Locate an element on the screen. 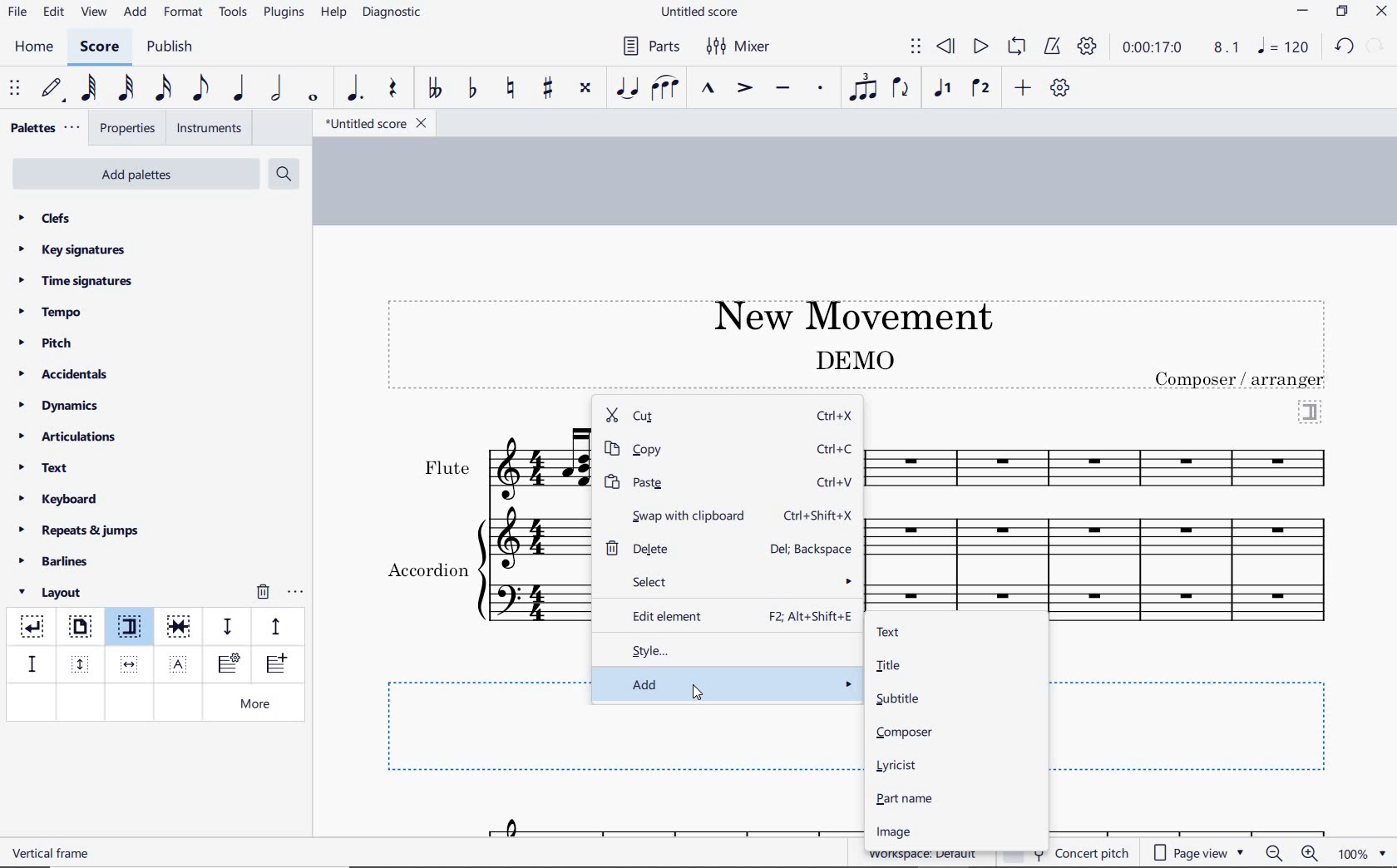  zoom in is located at coordinates (1313, 855).